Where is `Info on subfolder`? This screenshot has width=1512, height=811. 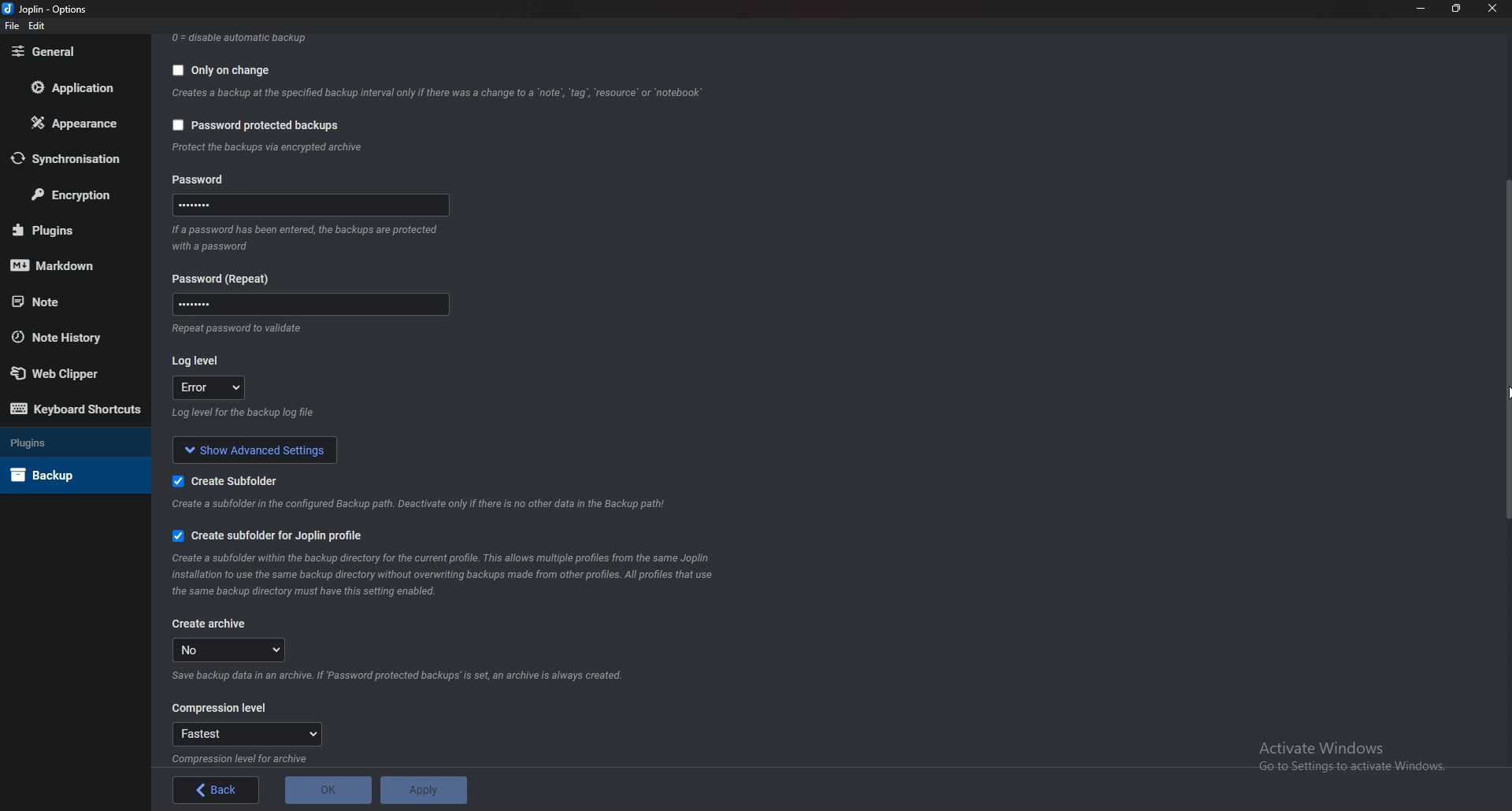
Info on subfolder is located at coordinates (418, 504).